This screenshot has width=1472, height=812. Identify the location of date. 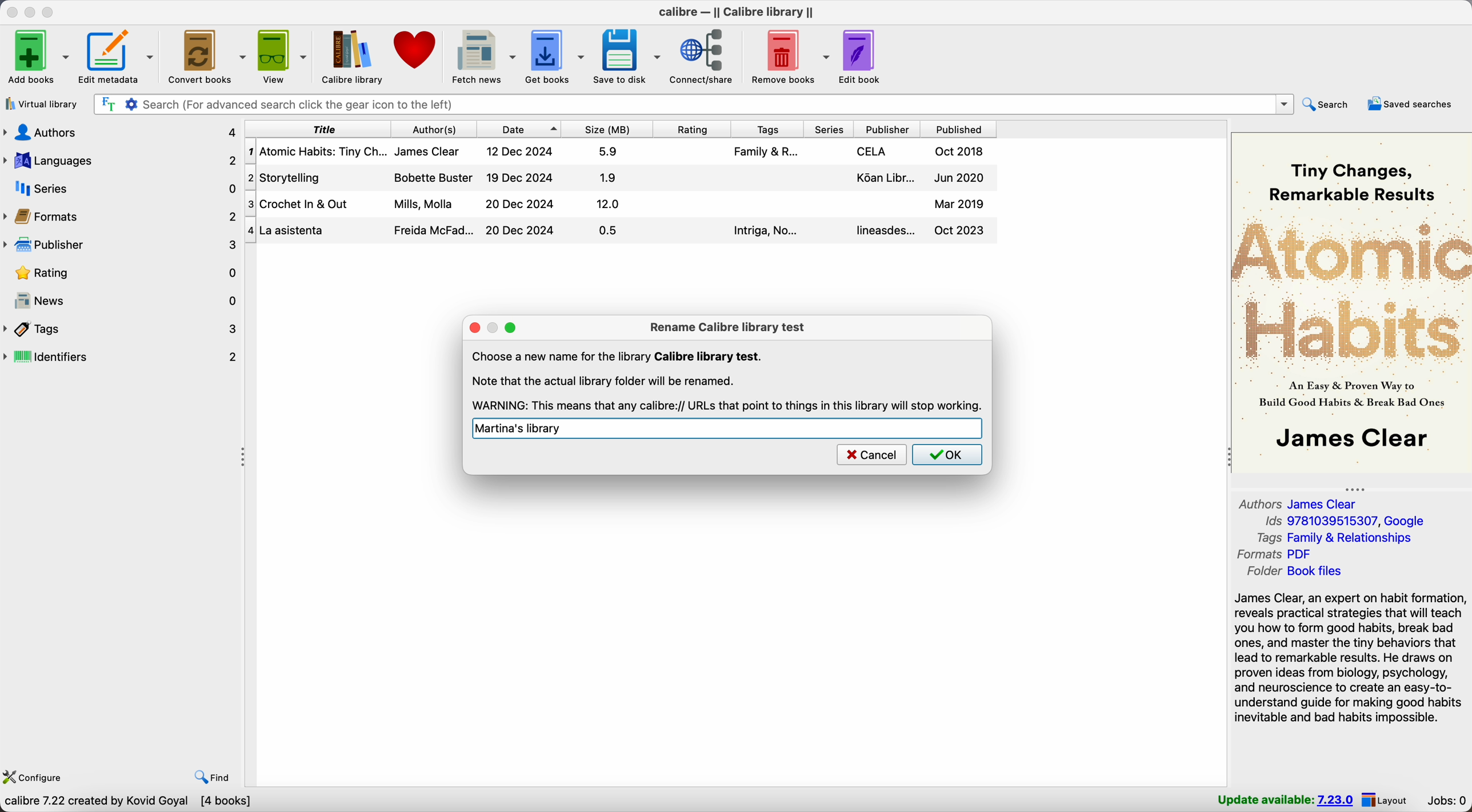
(519, 129).